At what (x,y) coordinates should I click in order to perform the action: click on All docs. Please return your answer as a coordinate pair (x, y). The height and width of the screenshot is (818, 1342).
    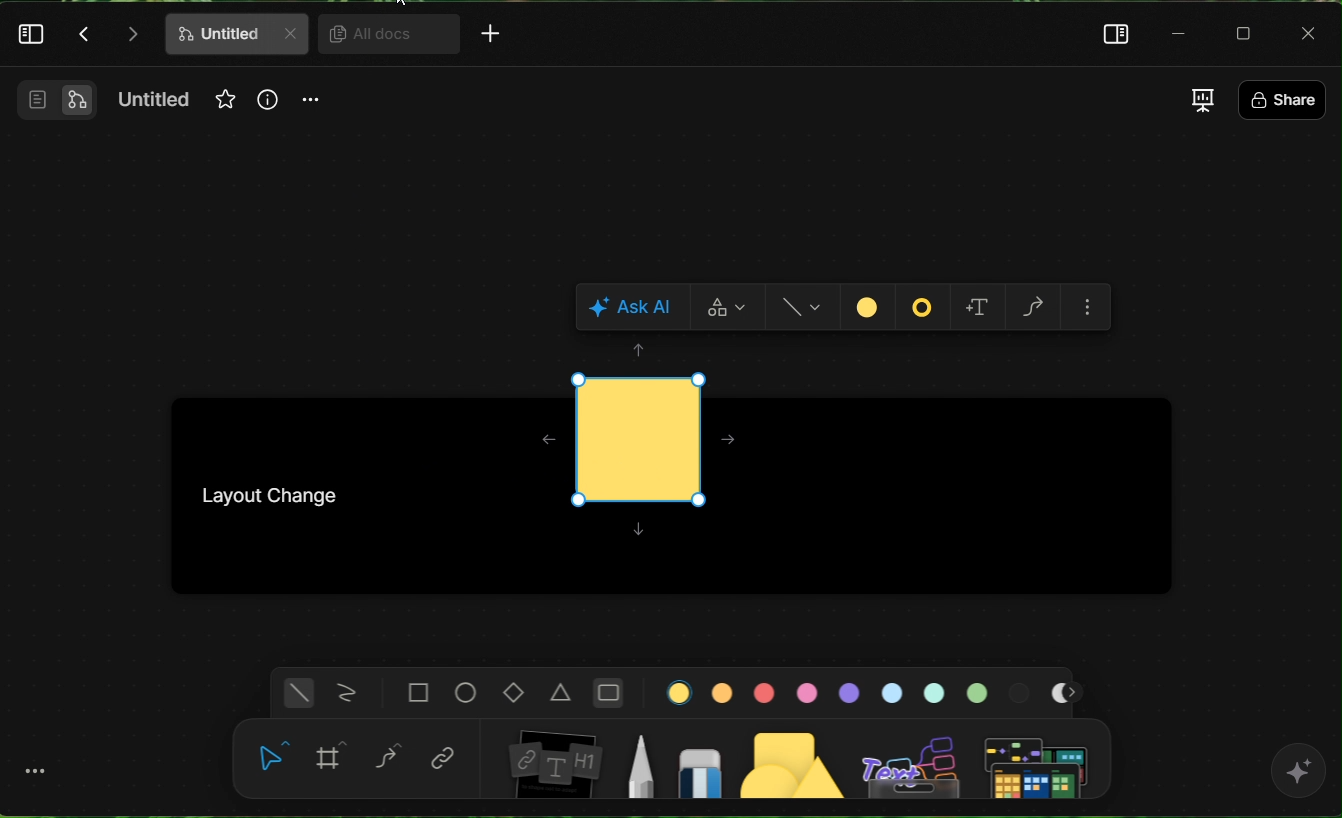
    Looking at the image, I should click on (381, 35).